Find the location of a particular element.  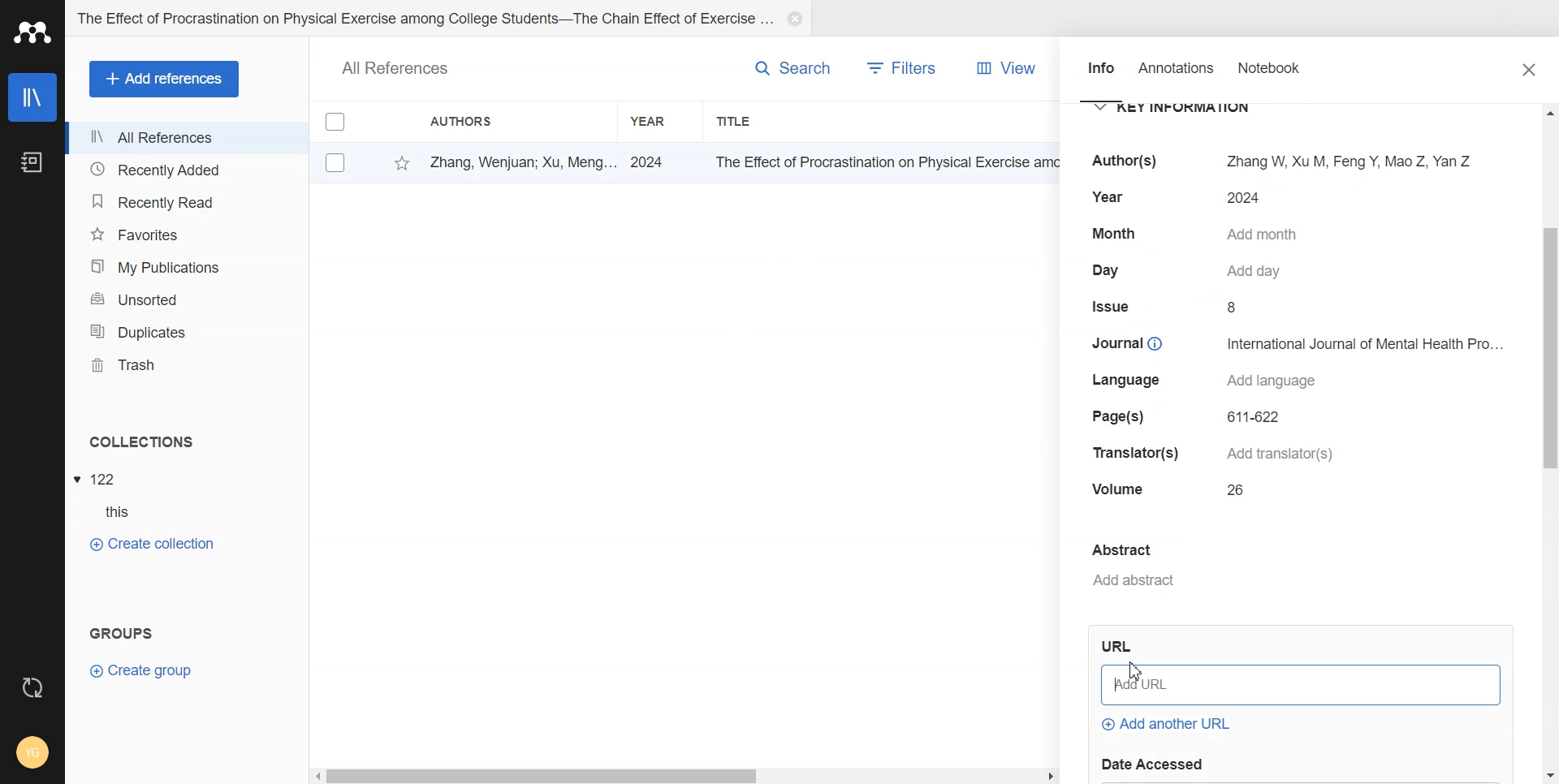

Journal International Journal of Mental Health Pro... is located at coordinates (1296, 342).